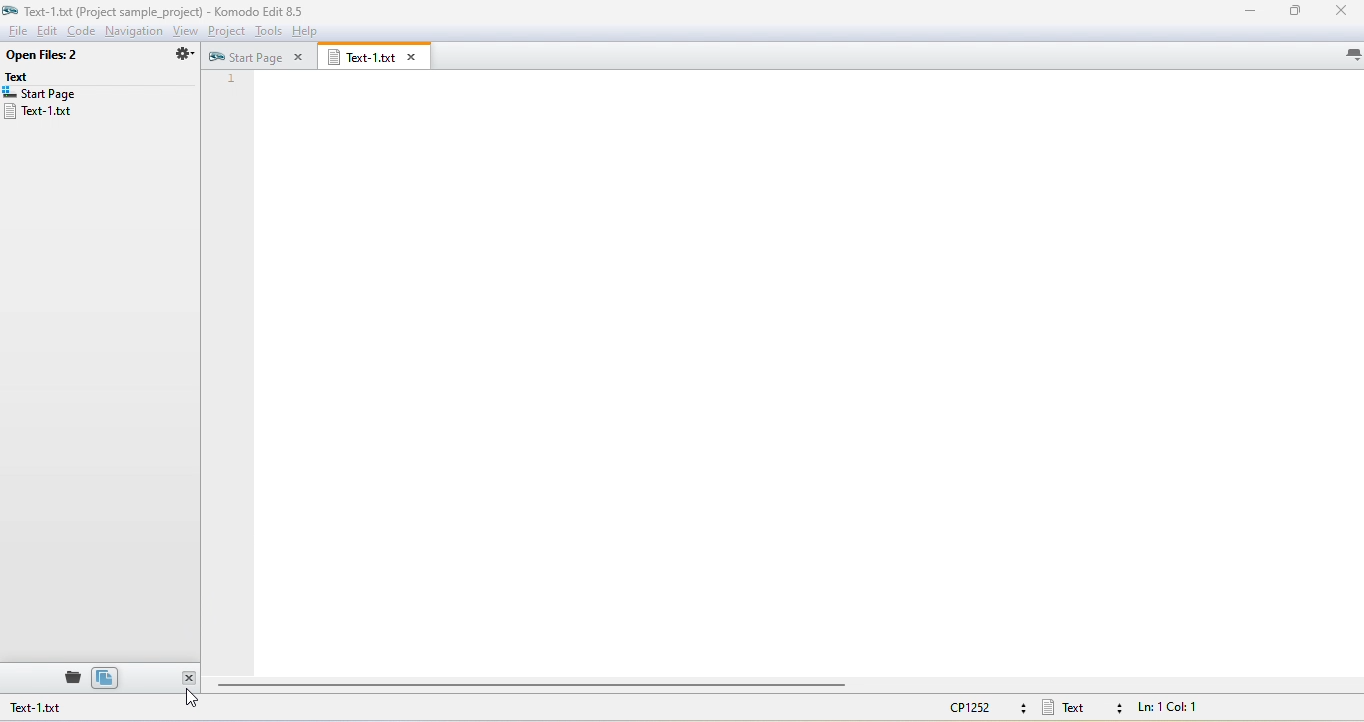 Image resolution: width=1364 pixels, height=722 pixels. What do you see at coordinates (356, 57) in the screenshot?
I see `text-1.txt` at bounding box center [356, 57].